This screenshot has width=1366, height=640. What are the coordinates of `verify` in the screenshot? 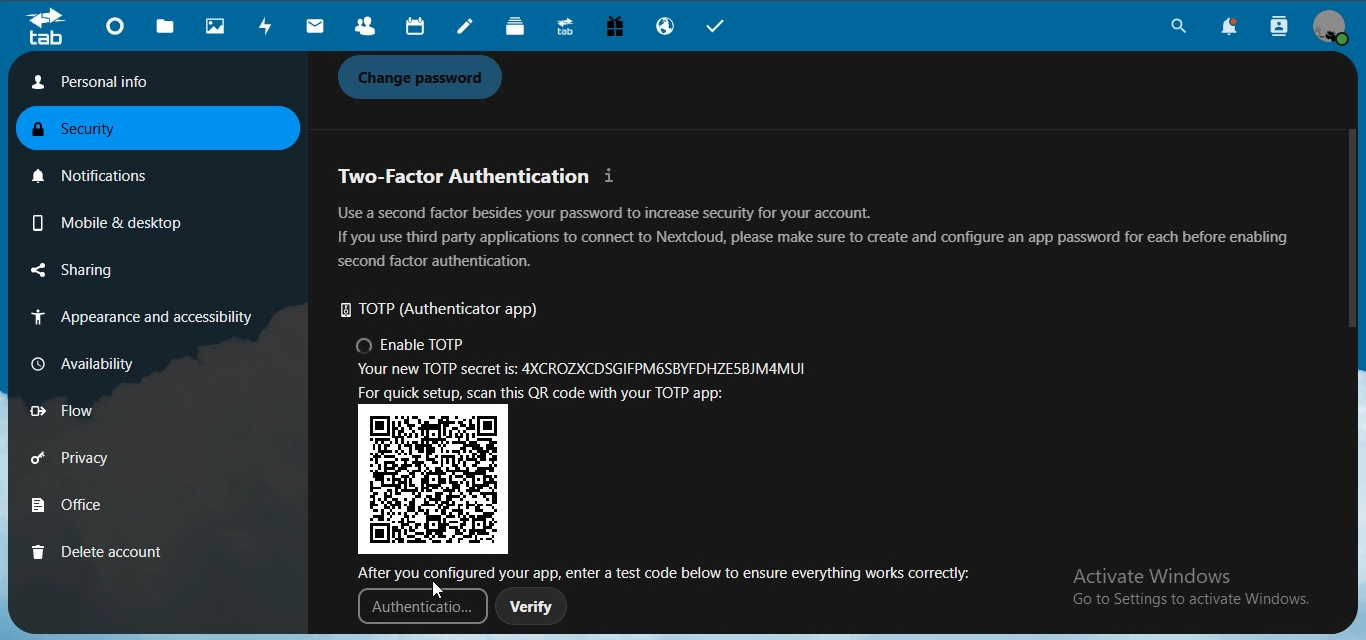 It's located at (532, 610).